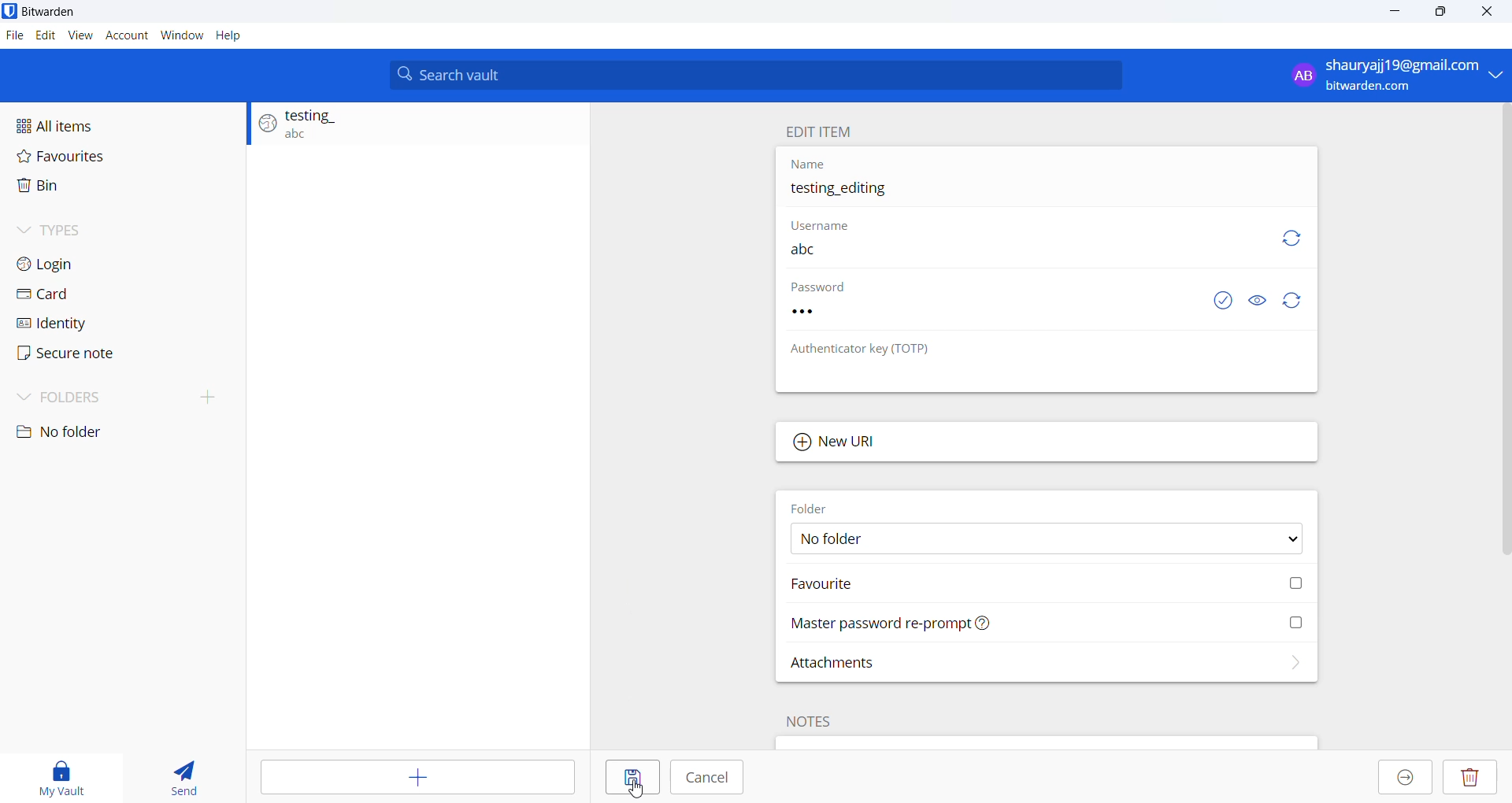 The height and width of the screenshot is (803, 1512). Describe the element at coordinates (624, 787) in the screenshot. I see `Cursor` at that location.